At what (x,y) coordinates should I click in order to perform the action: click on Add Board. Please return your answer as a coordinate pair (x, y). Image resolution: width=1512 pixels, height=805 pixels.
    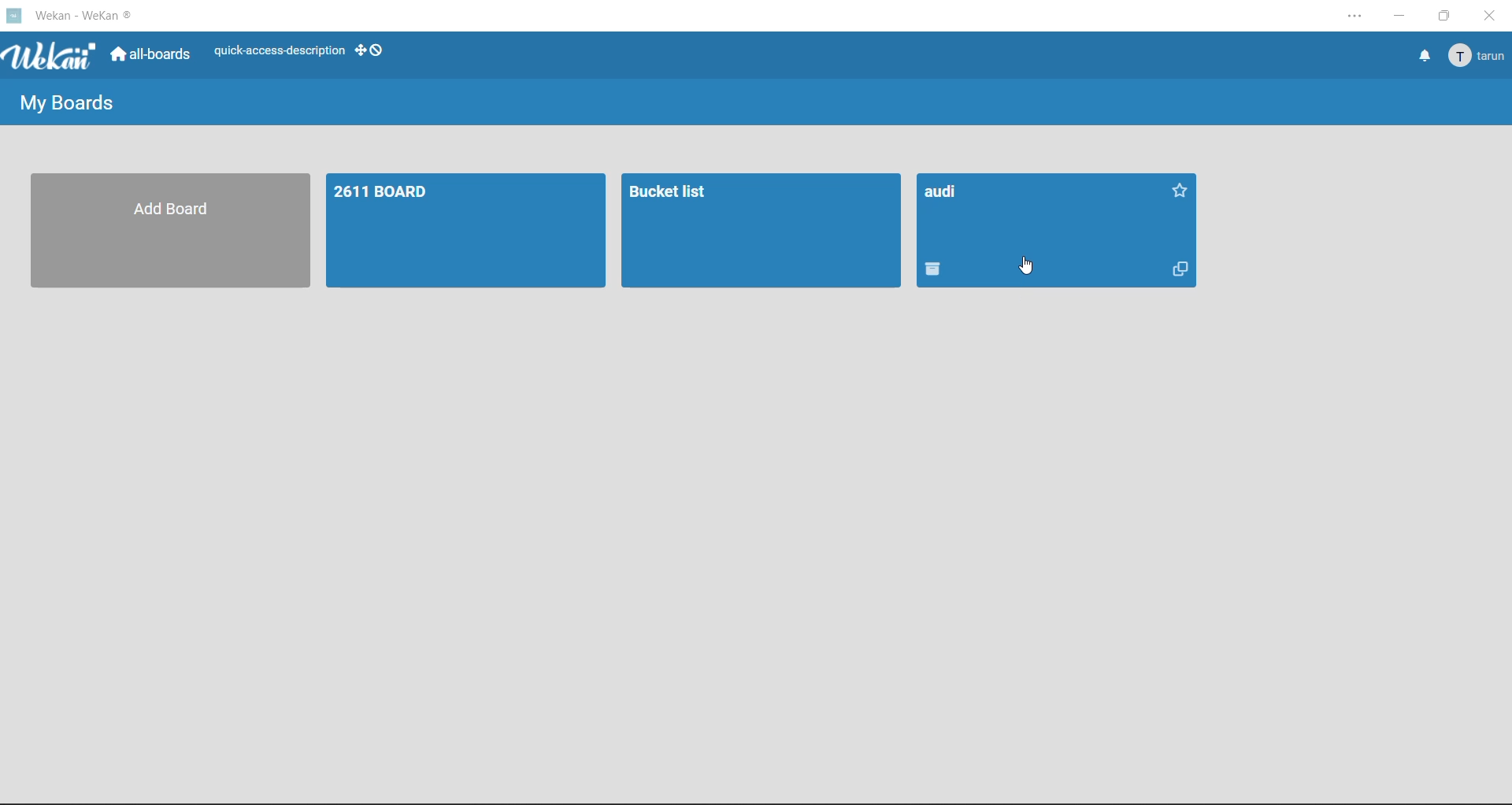
    Looking at the image, I should click on (173, 229).